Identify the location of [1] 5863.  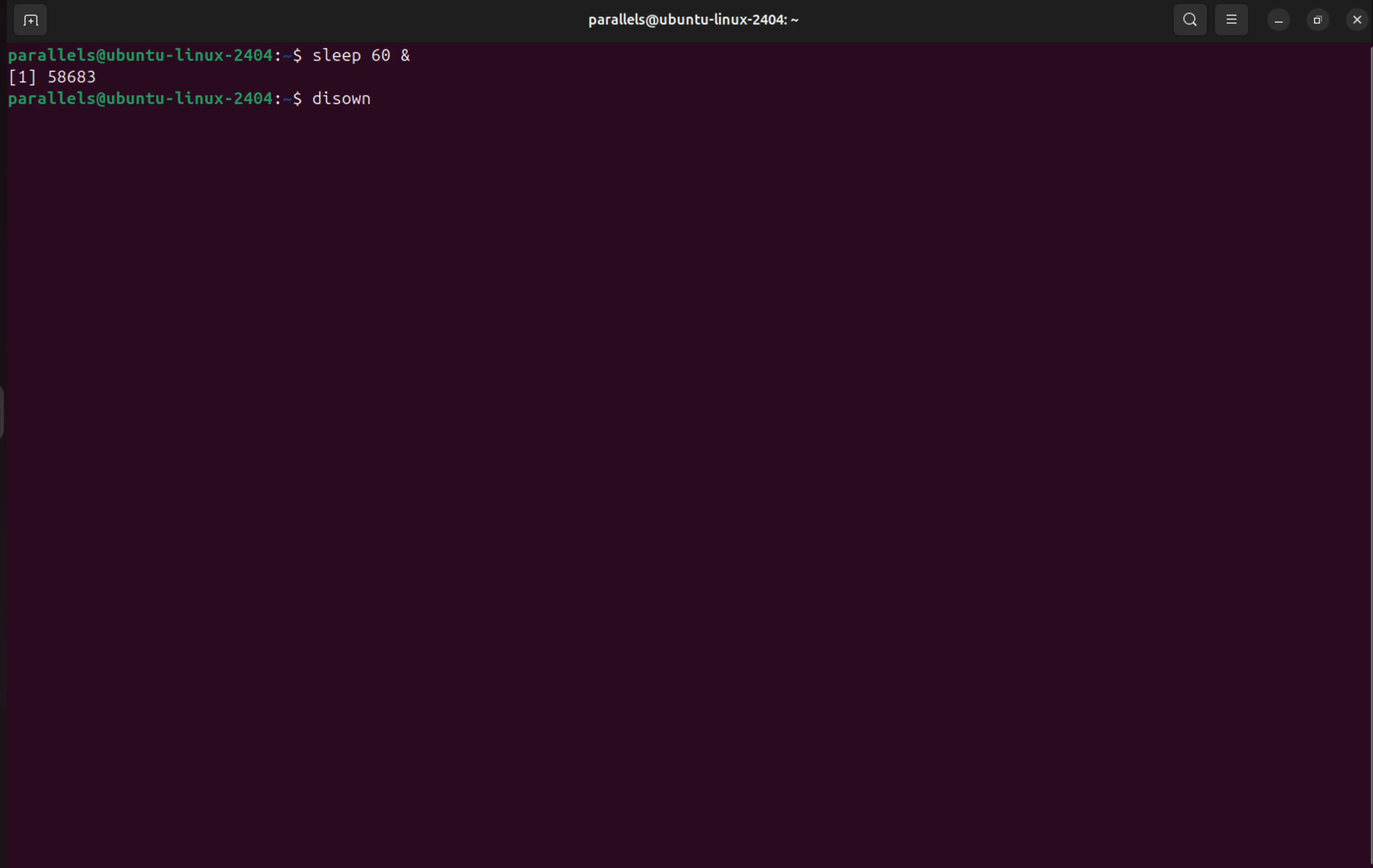
(52, 78).